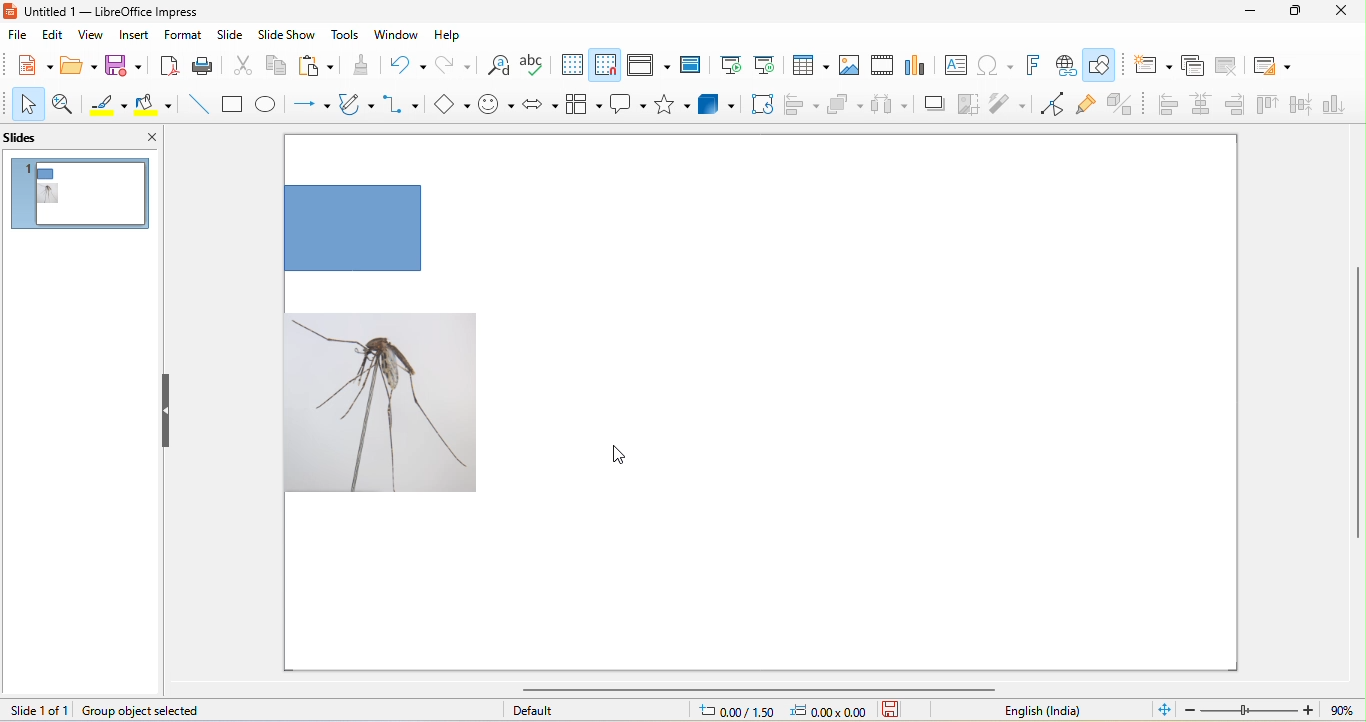  Describe the element at coordinates (1069, 65) in the screenshot. I see `hyperlink` at that location.